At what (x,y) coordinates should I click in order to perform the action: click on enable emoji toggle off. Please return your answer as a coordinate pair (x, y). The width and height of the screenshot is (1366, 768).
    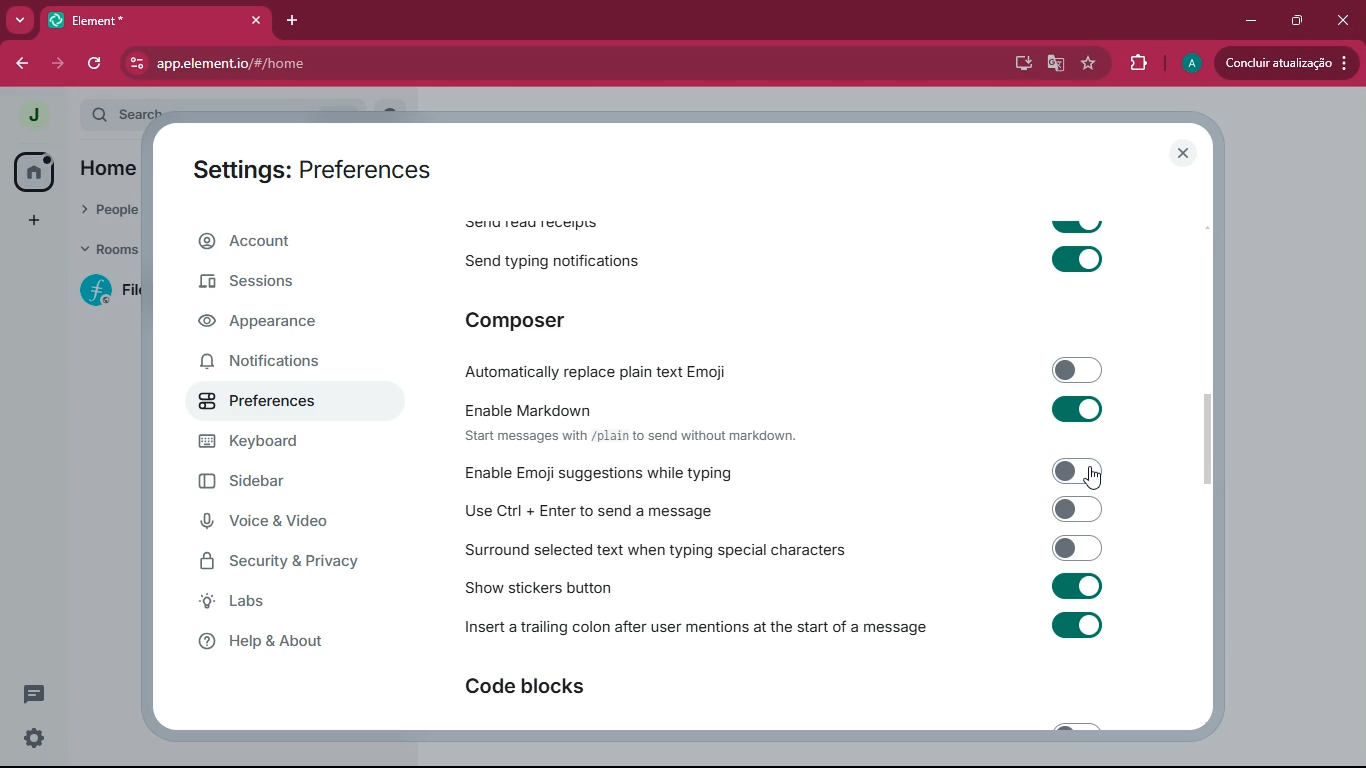
    Looking at the image, I should click on (814, 471).